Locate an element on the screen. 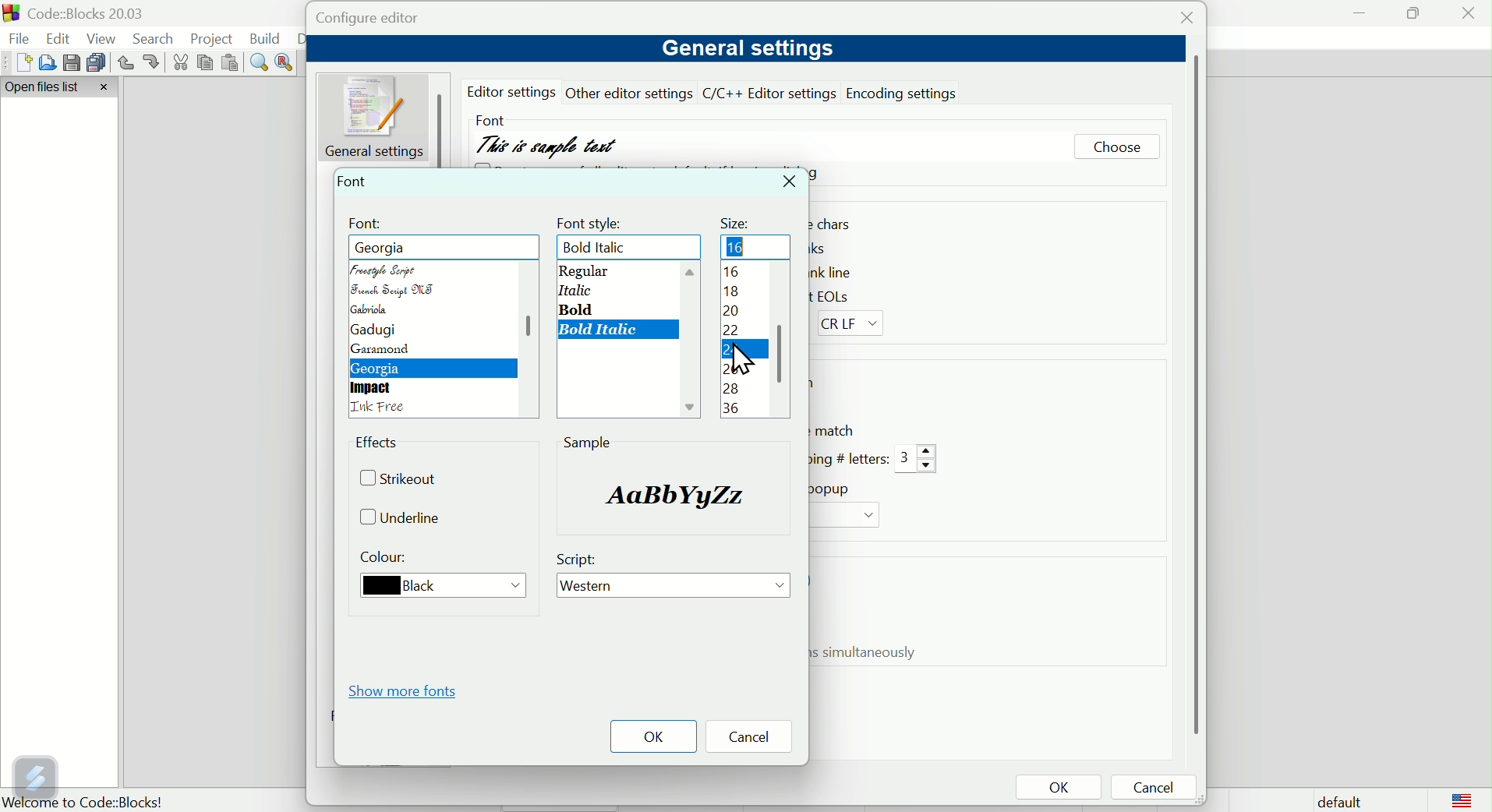  other editor settings is located at coordinates (631, 93).